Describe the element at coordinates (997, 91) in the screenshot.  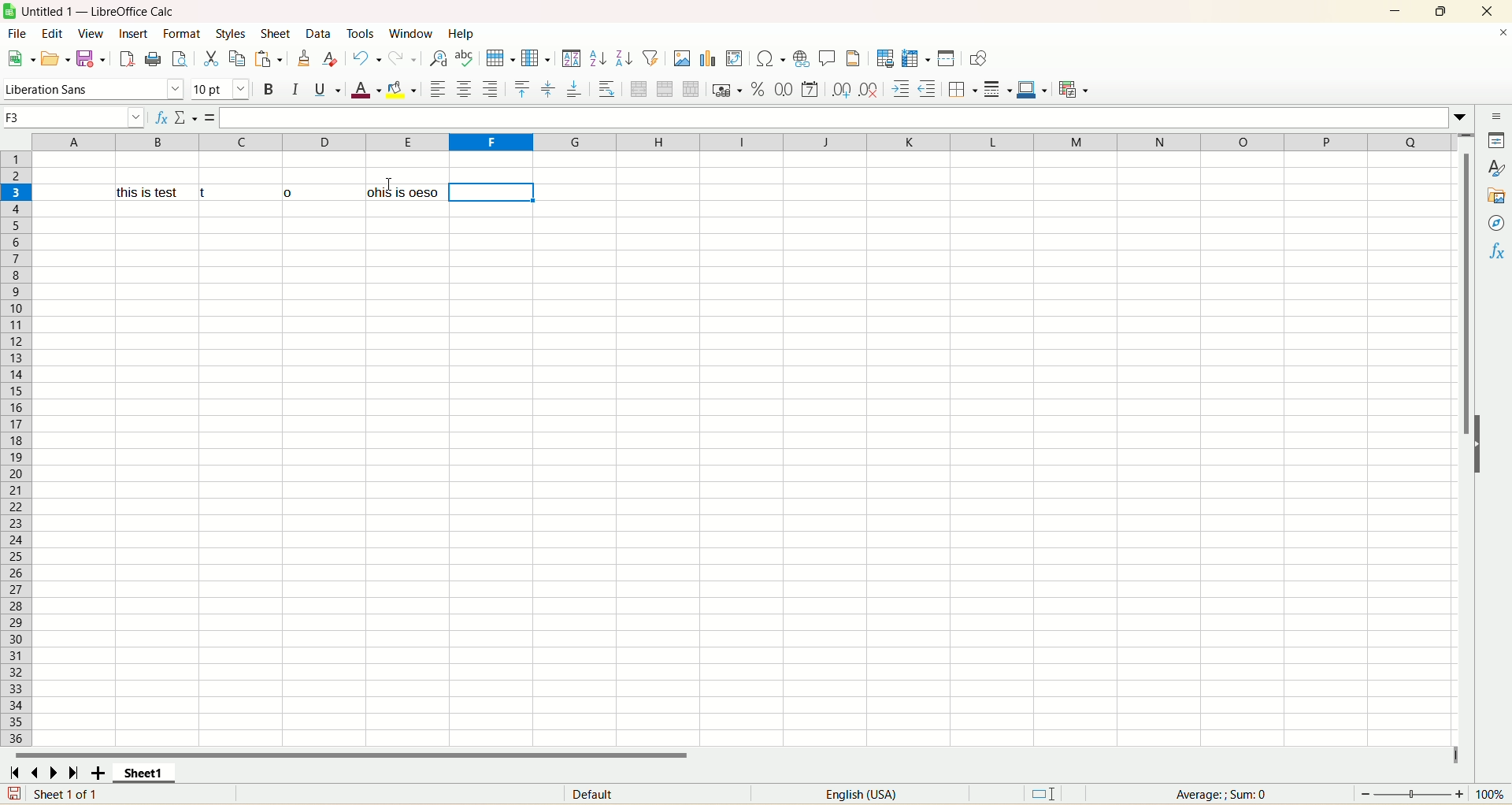
I see `border style` at that location.